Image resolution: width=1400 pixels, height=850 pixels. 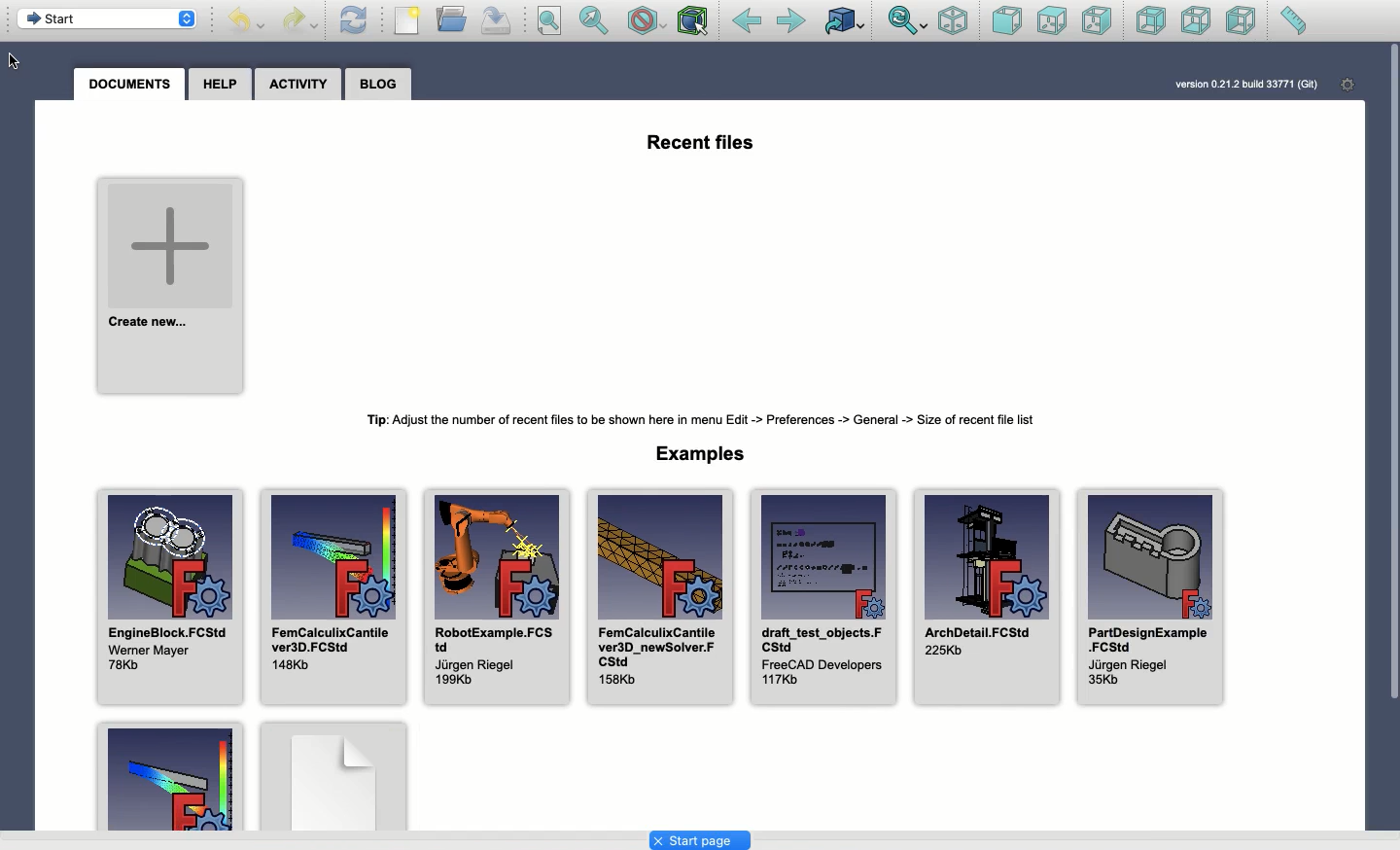 I want to click on Recent files, so click(x=707, y=142).